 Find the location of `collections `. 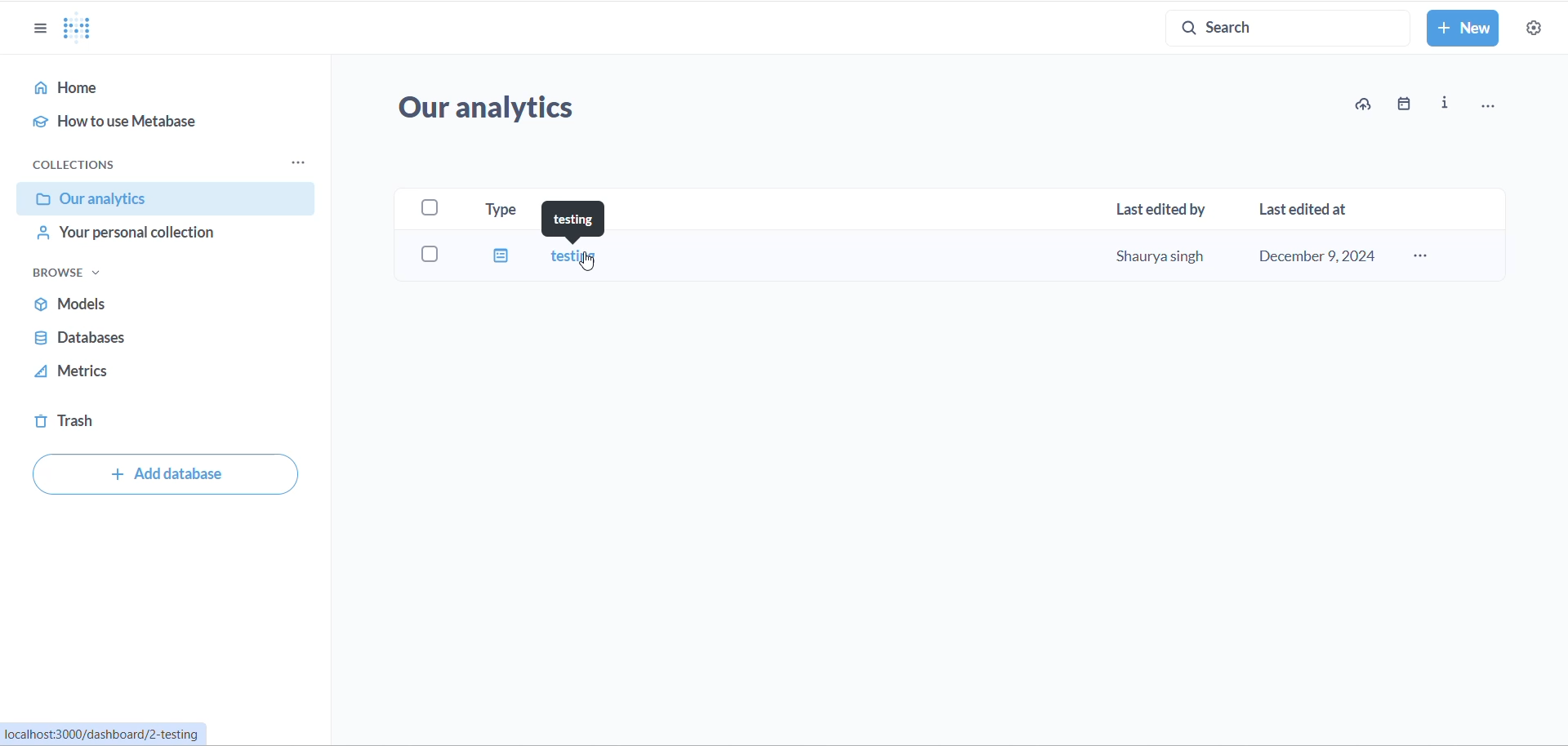

collections  is located at coordinates (91, 165).